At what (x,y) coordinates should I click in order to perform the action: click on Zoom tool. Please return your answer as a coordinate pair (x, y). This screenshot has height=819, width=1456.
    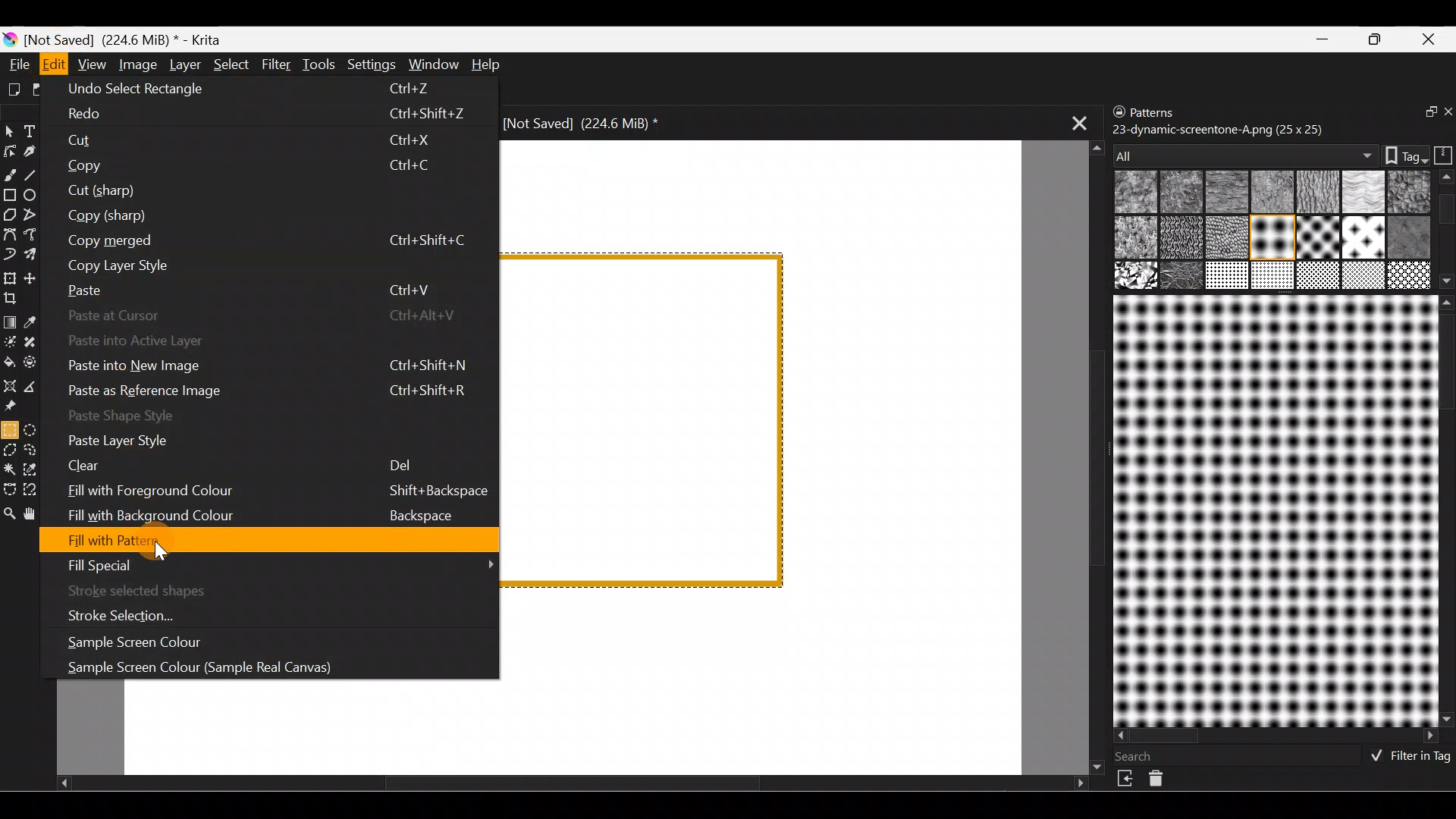
    Looking at the image, I should click on (10, 515).